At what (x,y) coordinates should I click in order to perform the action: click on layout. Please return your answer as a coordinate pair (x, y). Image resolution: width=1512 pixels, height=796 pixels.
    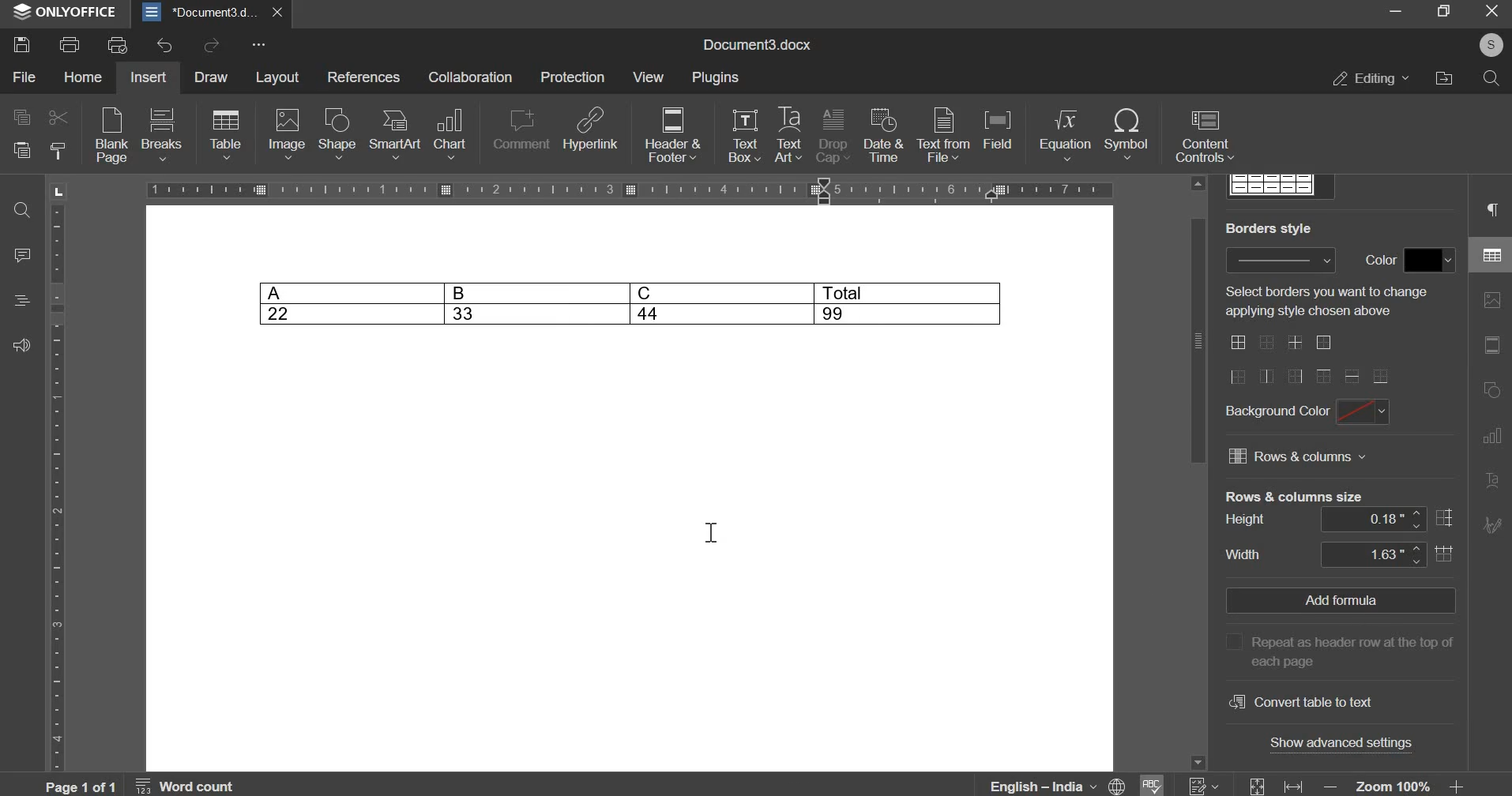
    Looking at the image, I should click on (280, 77).